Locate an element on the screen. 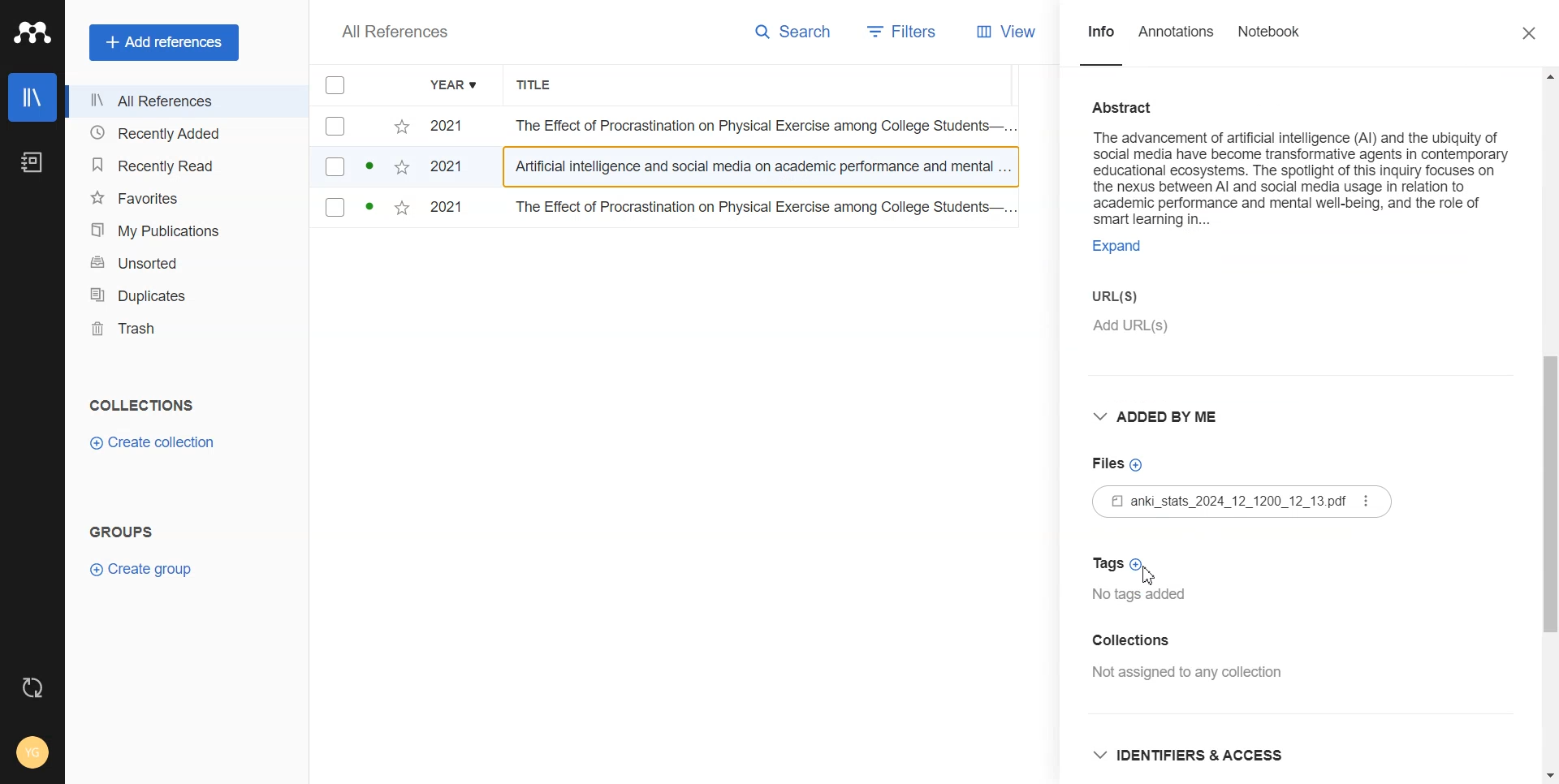 The image size is (1559, 784). Favorites is located at coordinates (185, 197).